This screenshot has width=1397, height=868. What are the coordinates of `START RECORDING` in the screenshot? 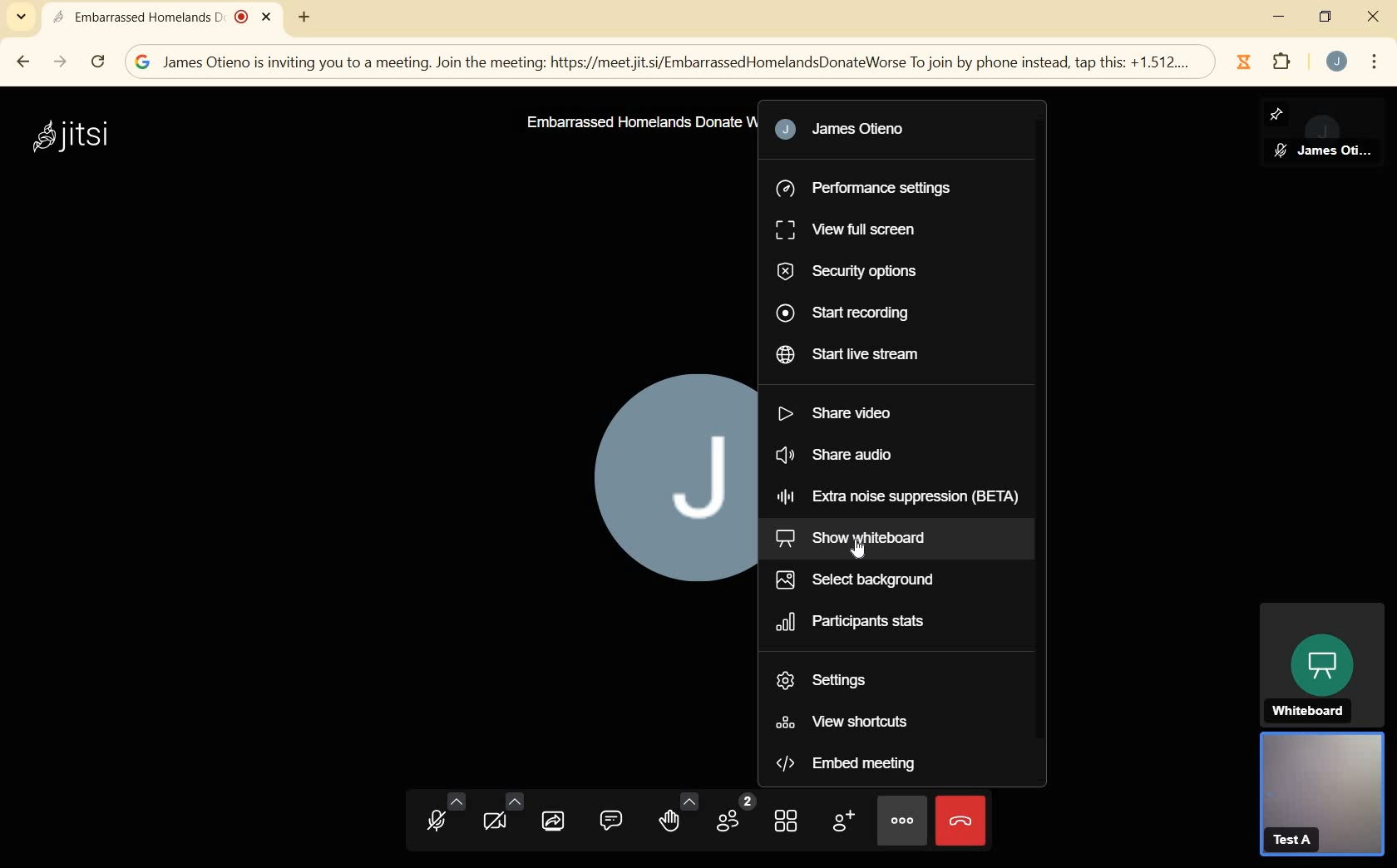 It's located at (858, 314).